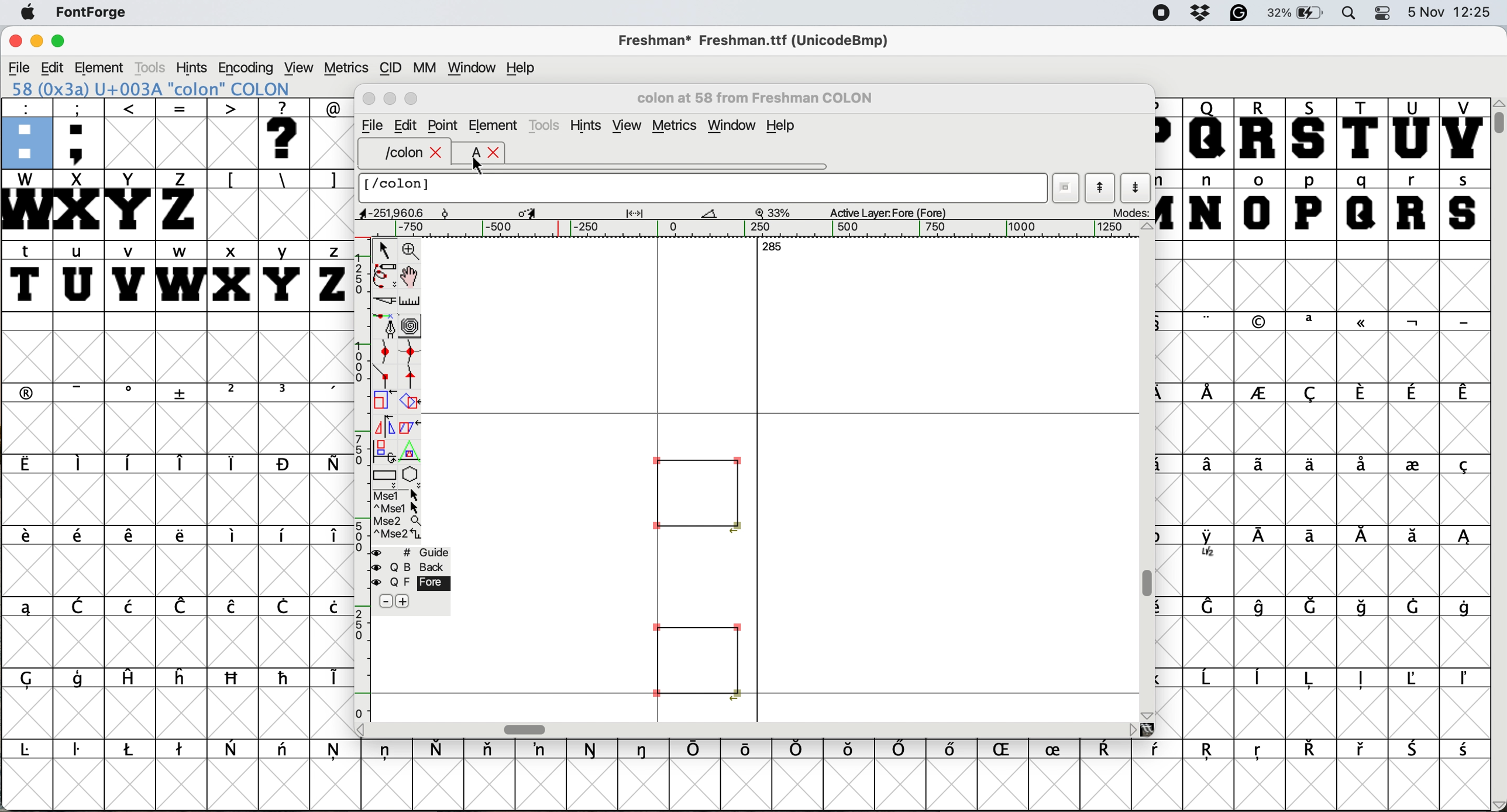 The width and height of the screenshot is (1507, 812). What do you see at coordinates (130, 133) in the screenshot?
I see `<` at bounding box center [130, 133].